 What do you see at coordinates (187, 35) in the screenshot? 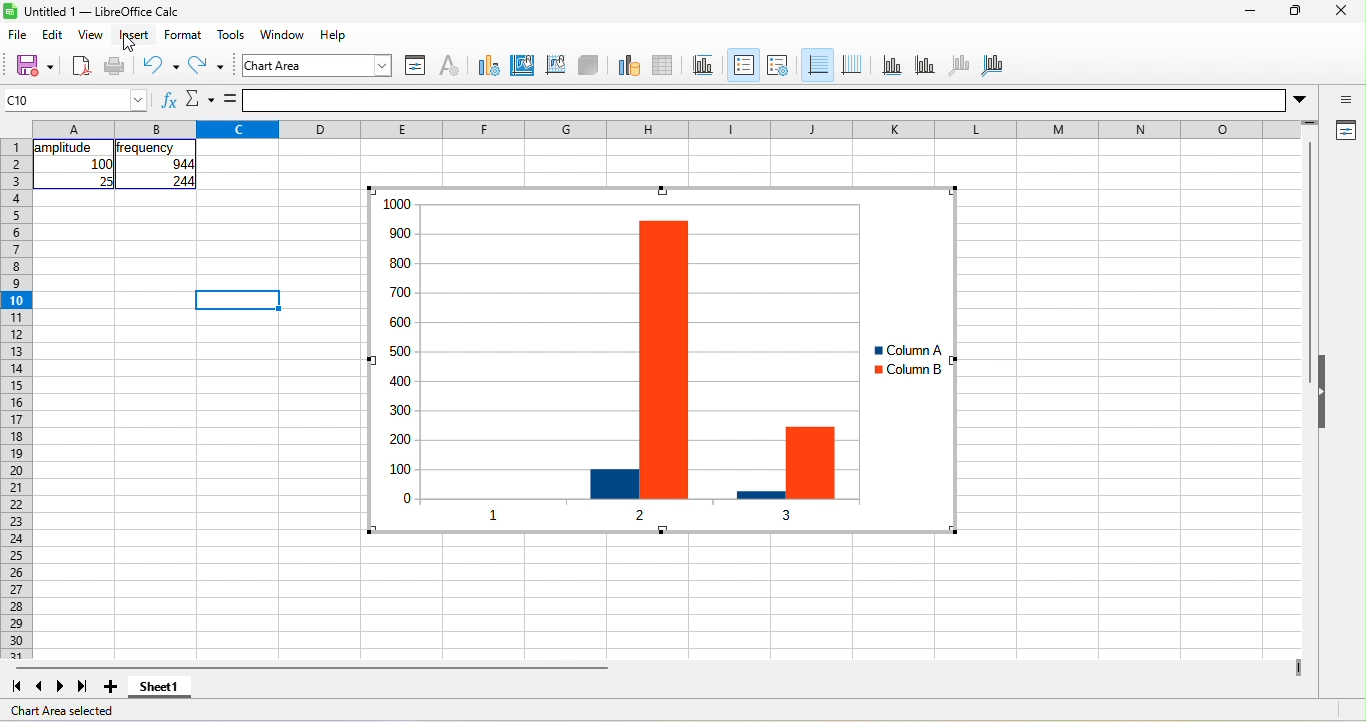
I see `format` at bounding box center [187, 35].